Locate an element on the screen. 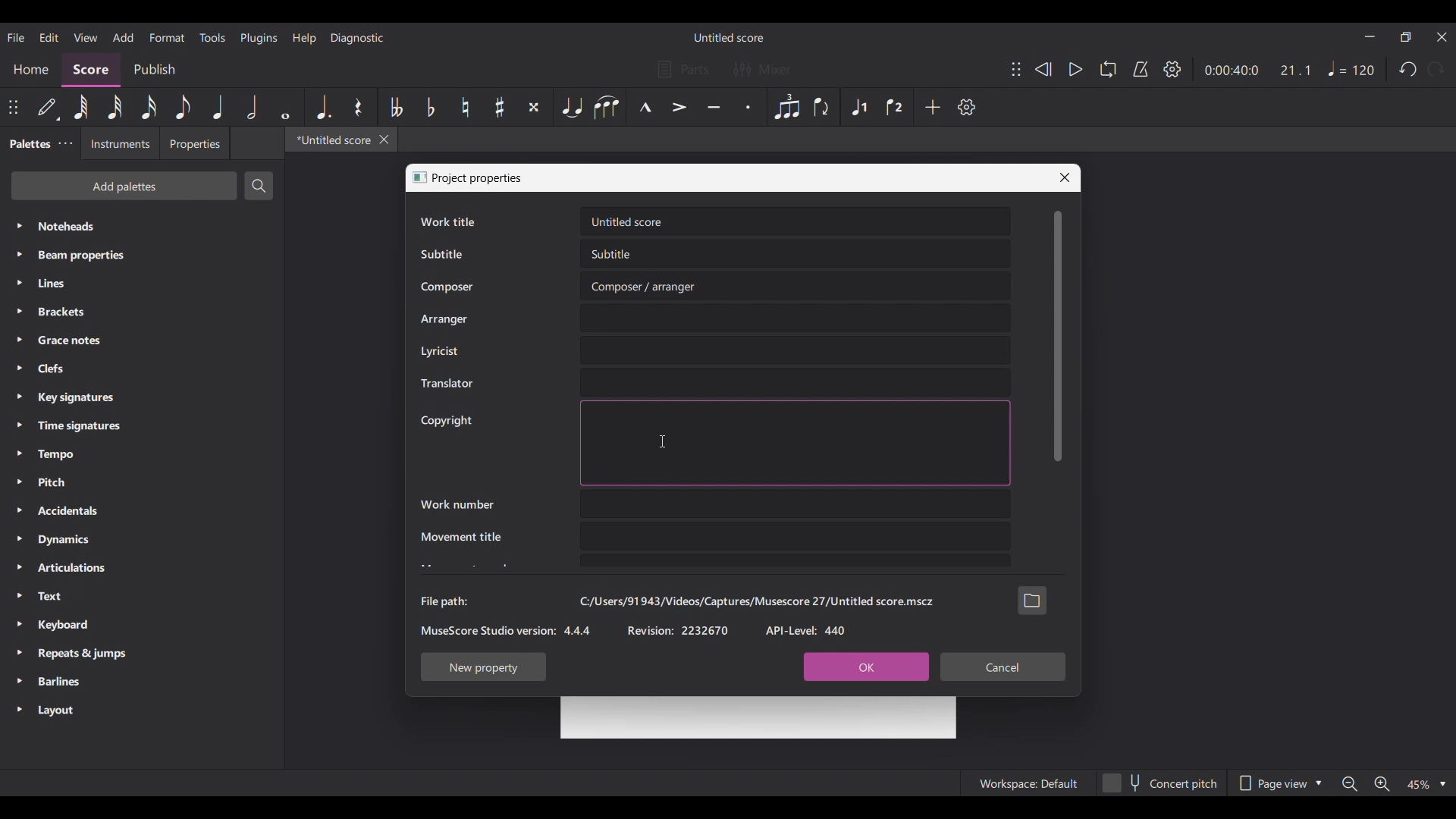 The width and height of the screenshot is (1456, 819). Text box for Work title is located at coordinates (795, 221).